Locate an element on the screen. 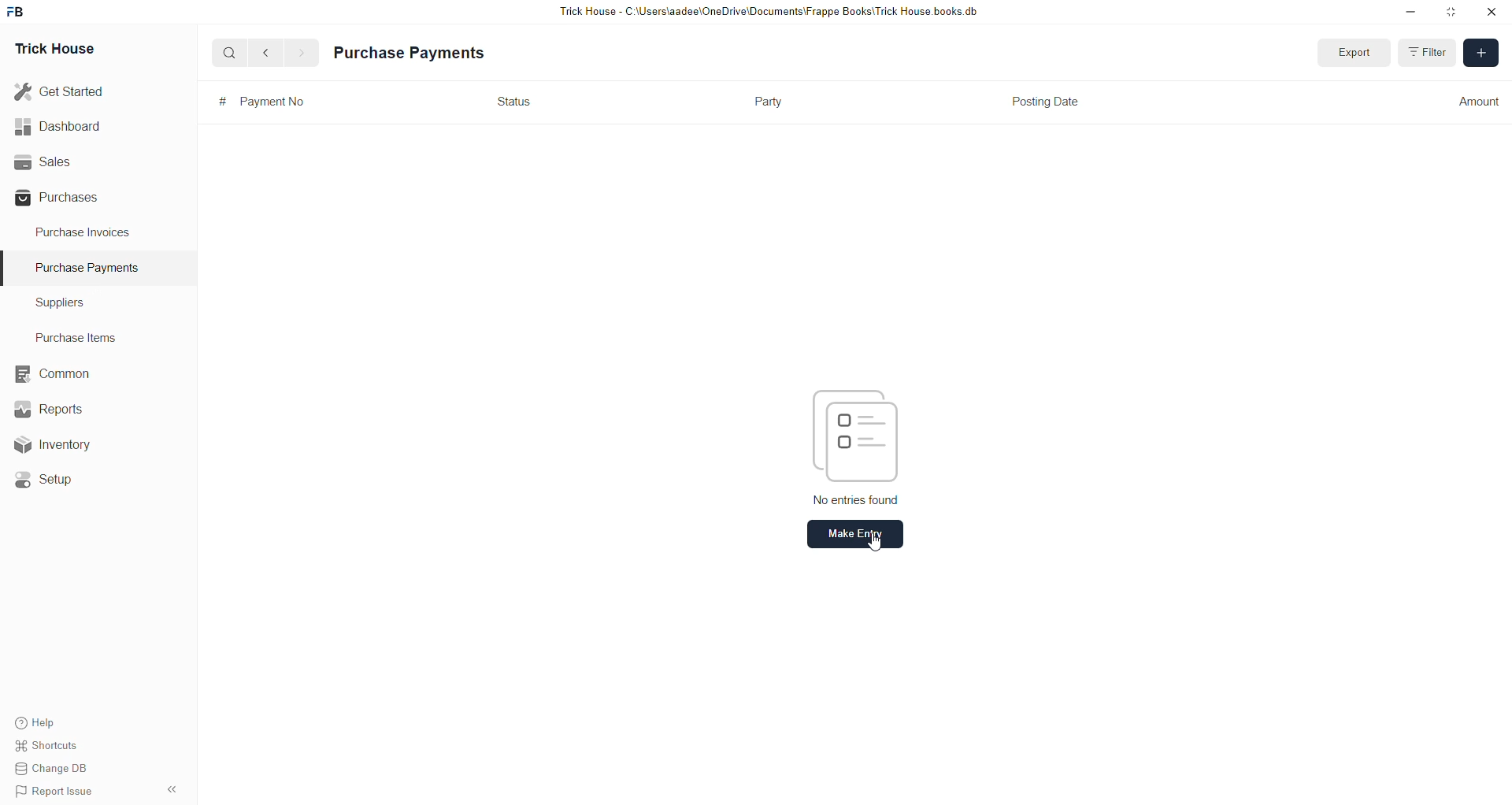 This screenshot has width=1512, height=805. close is located at coordinates (1492, 12).